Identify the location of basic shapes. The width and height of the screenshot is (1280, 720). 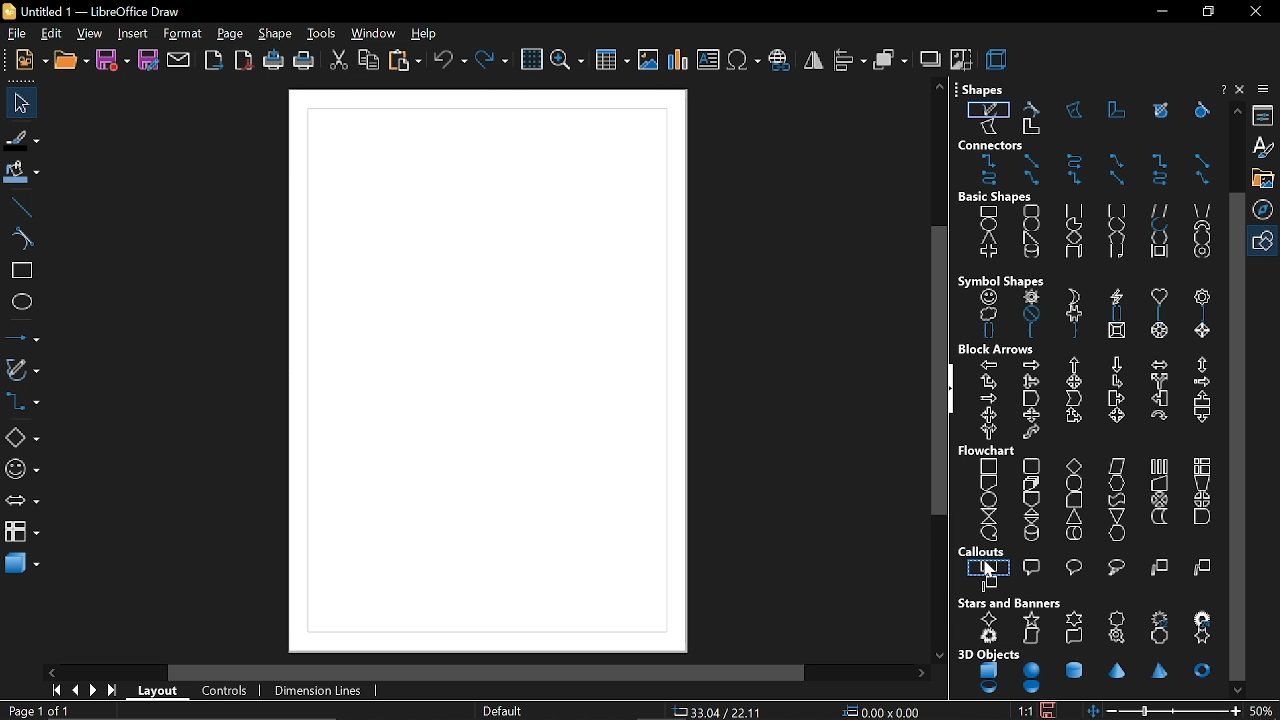
(996, 198).